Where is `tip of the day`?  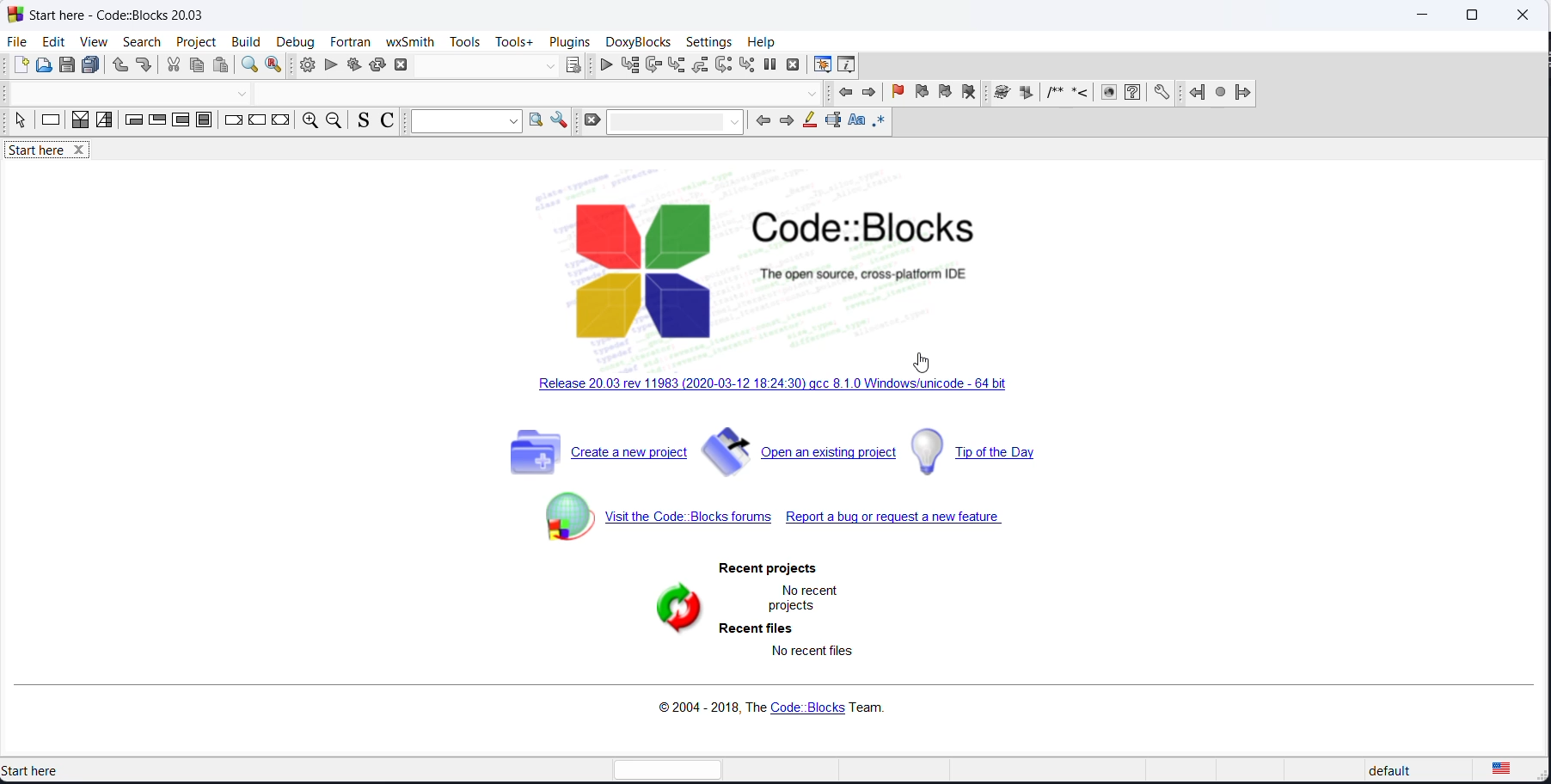
tip of the day is located at coordinates (994, 454).